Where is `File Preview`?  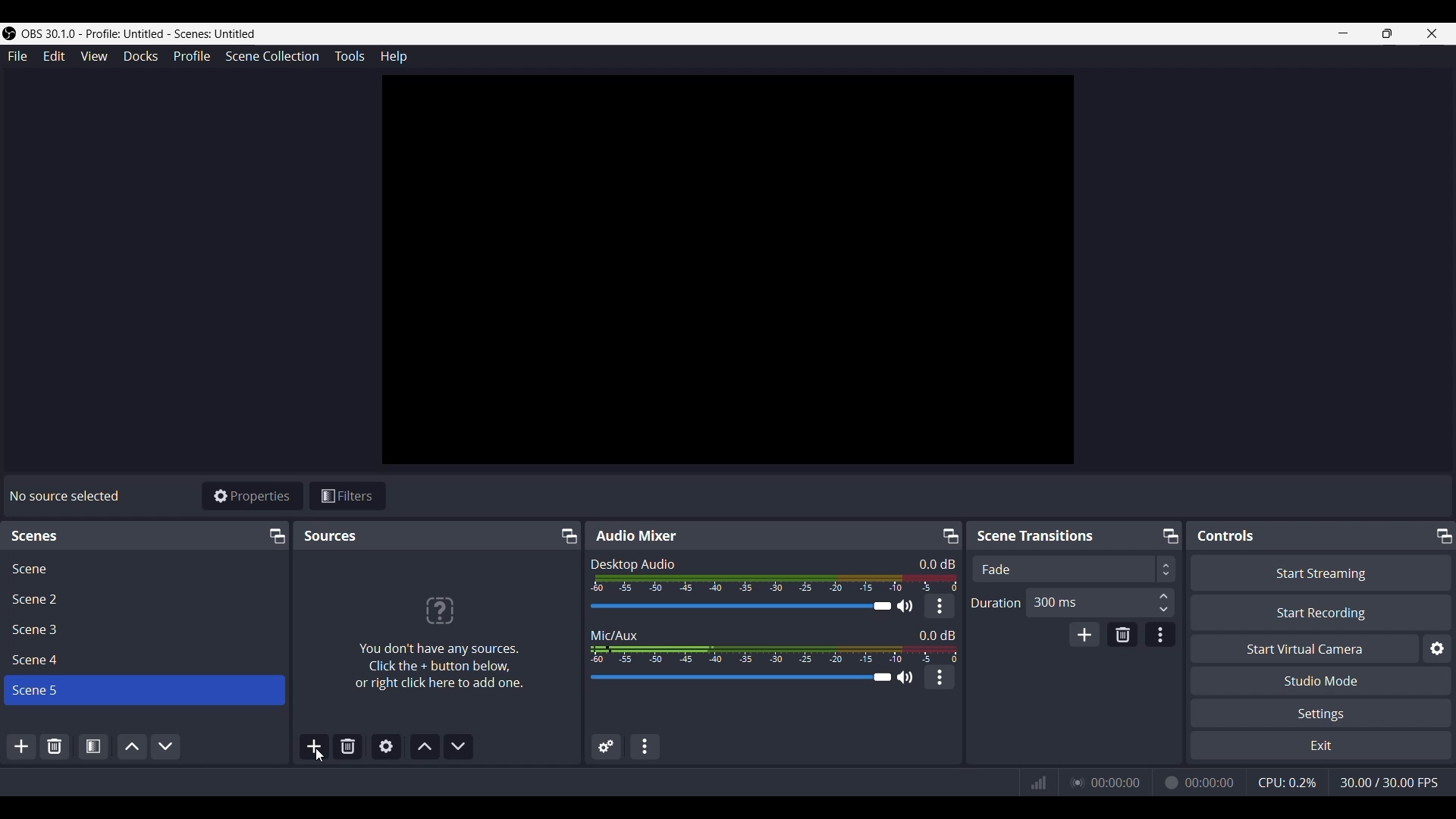
File Preview is located at coordinates (726, 267).